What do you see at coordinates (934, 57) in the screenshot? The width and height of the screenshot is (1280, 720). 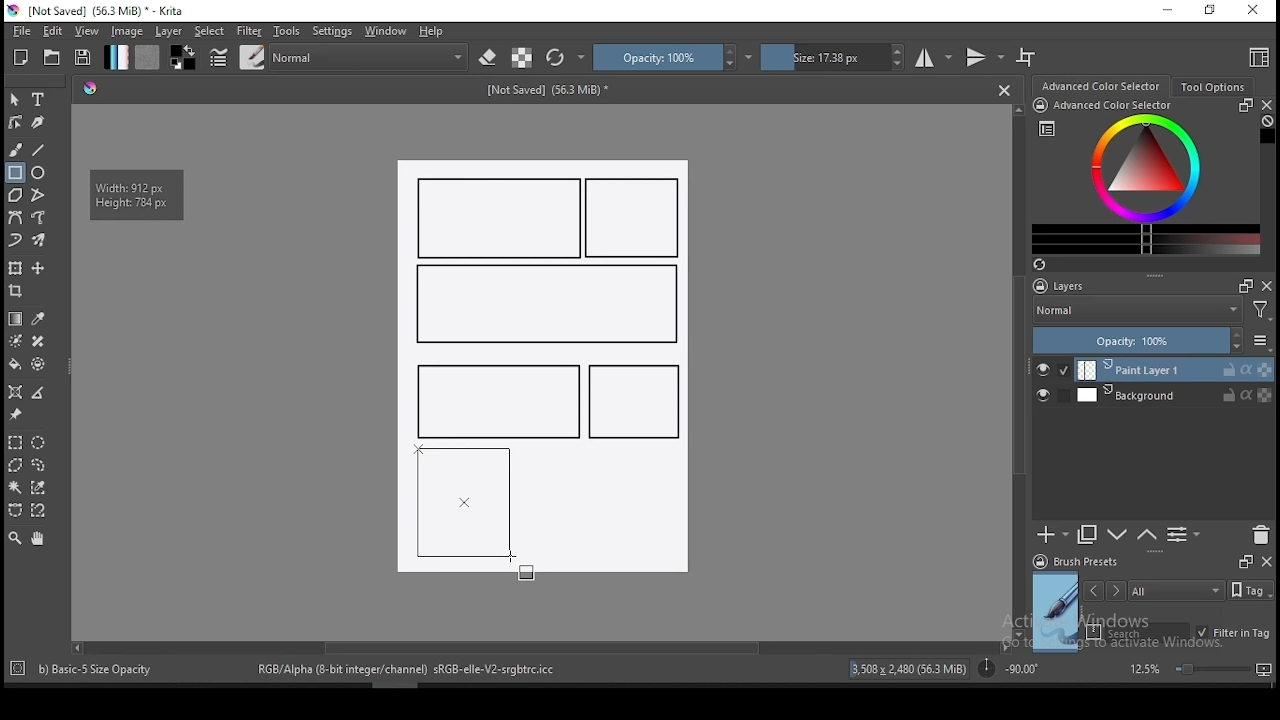 I see `horizontal mirror tool` at bounding box center [934, 57].